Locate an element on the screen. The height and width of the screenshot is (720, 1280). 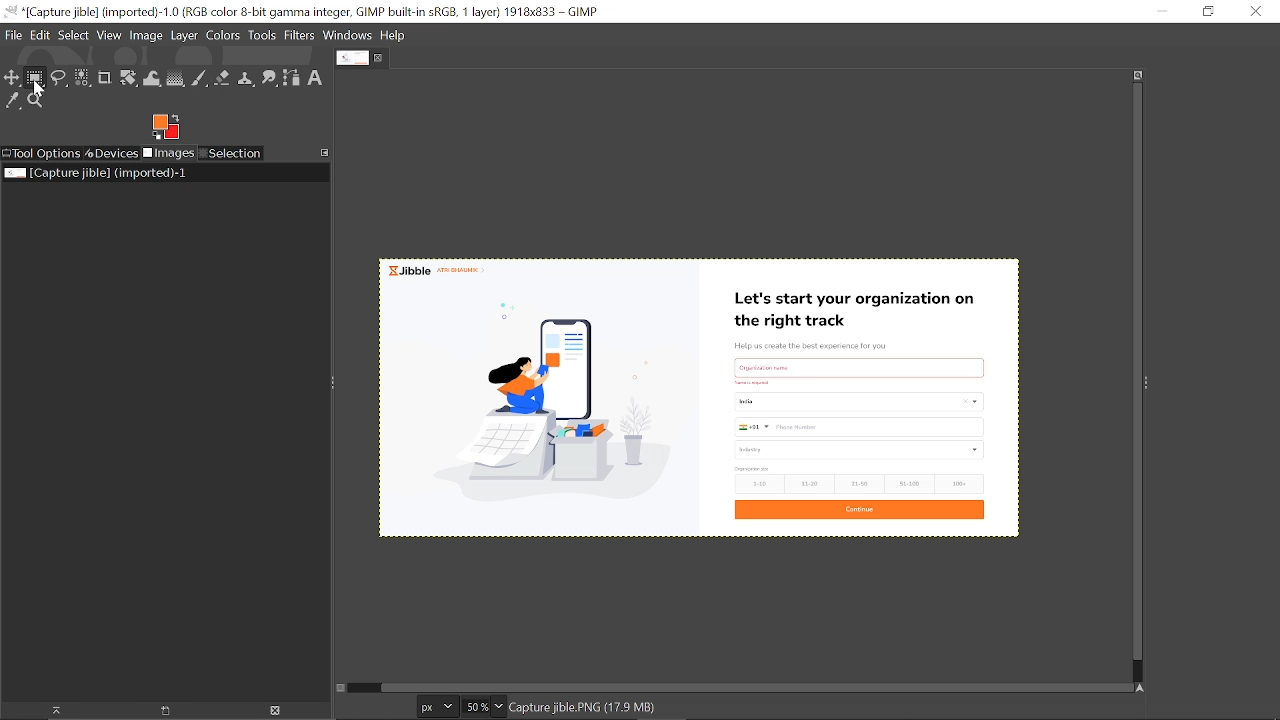
21-50 is located at coordinates (860, 483).